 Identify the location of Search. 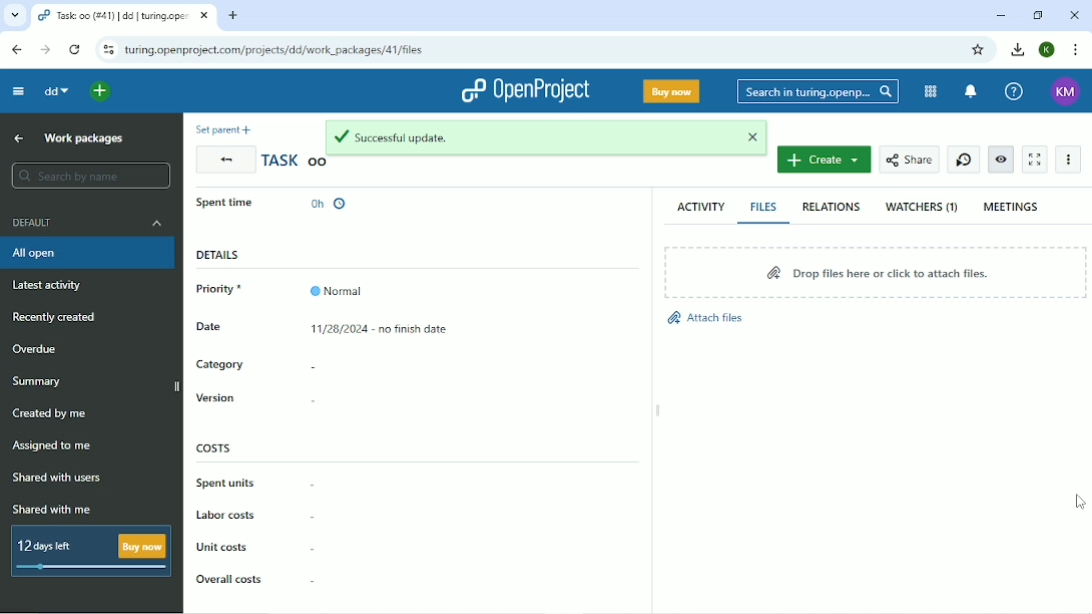
(818, 91).